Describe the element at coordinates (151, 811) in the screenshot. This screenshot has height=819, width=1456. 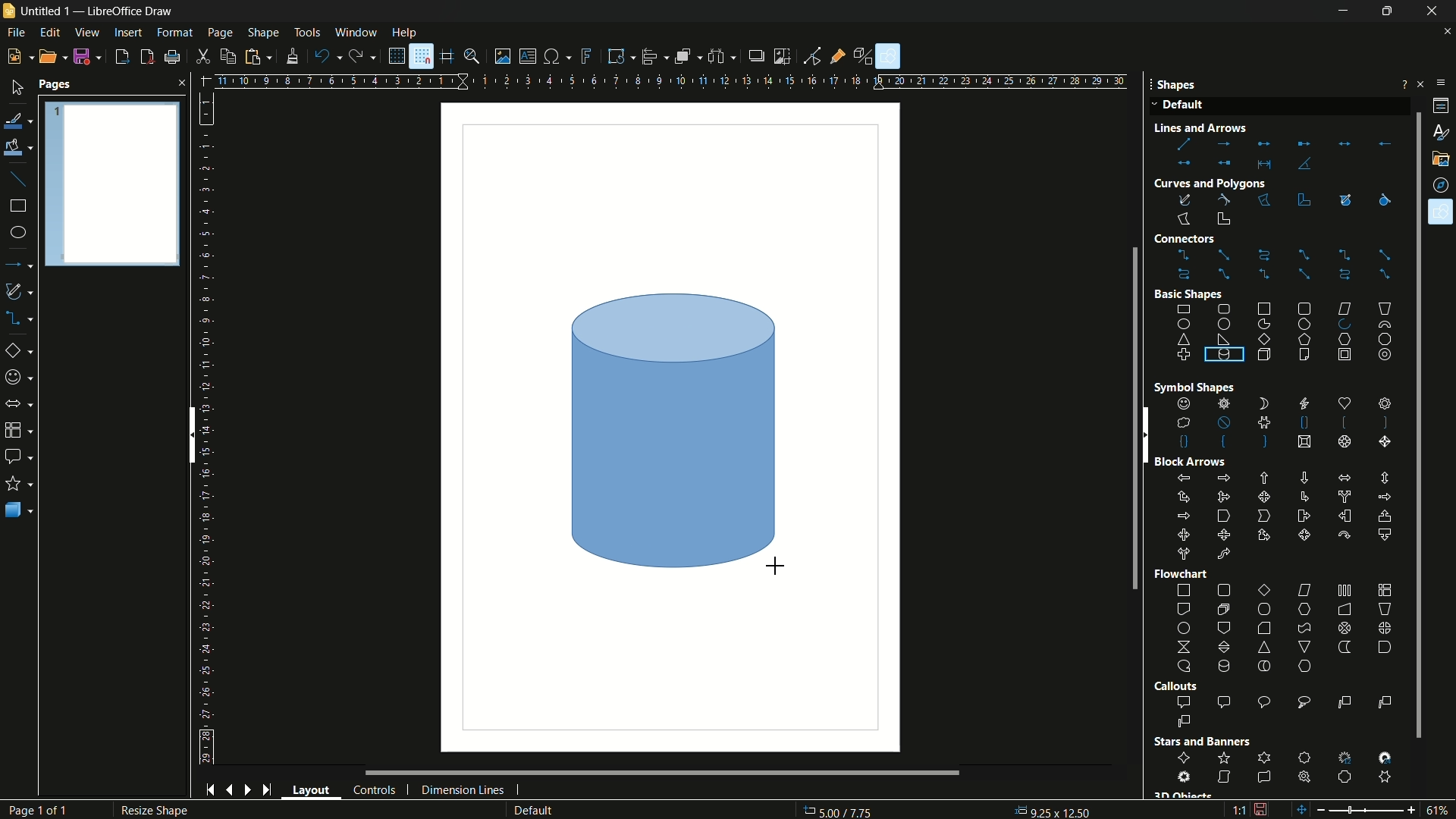
I see `Resize Shape` at that location.